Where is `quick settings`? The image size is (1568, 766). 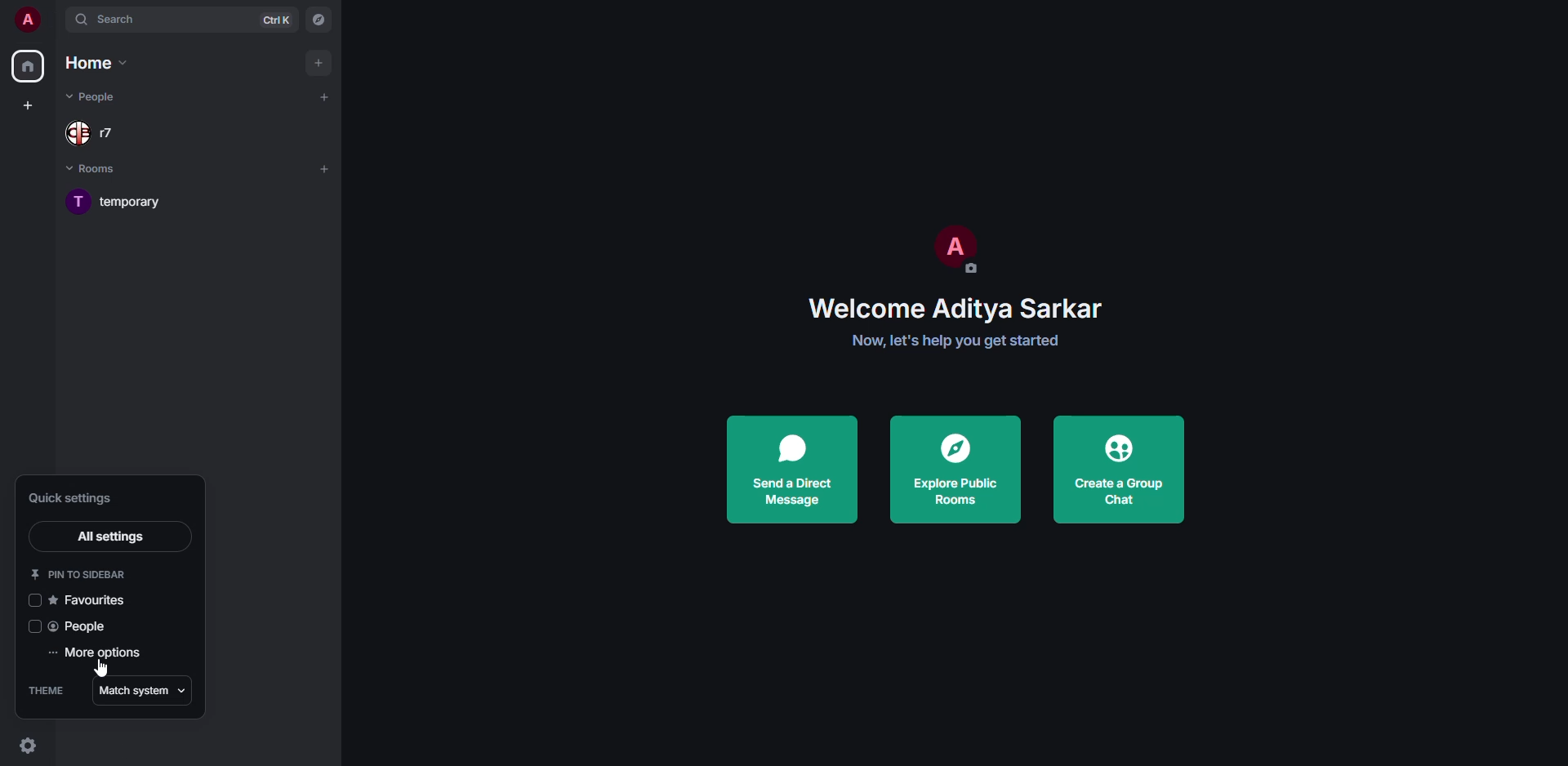
quick settings is located at coordinates (73, 498).